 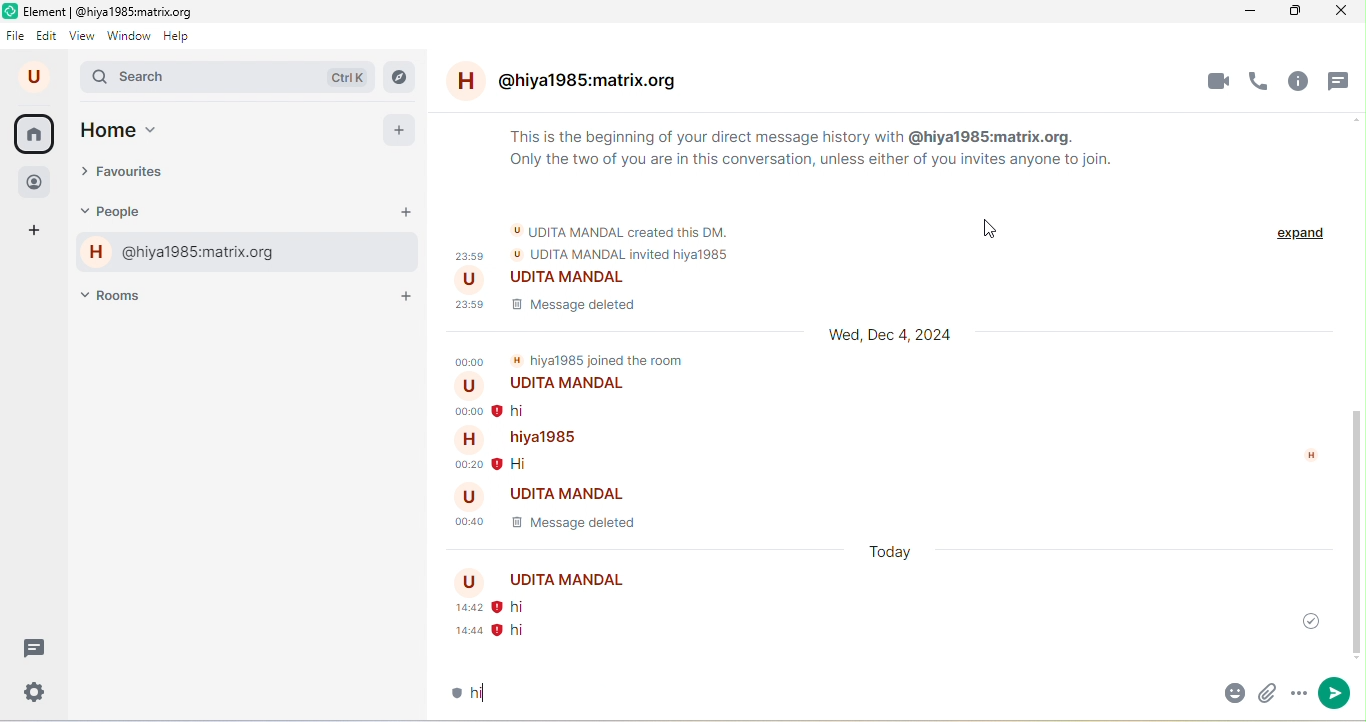 I want to click on hi, so click(x=515, y=632).